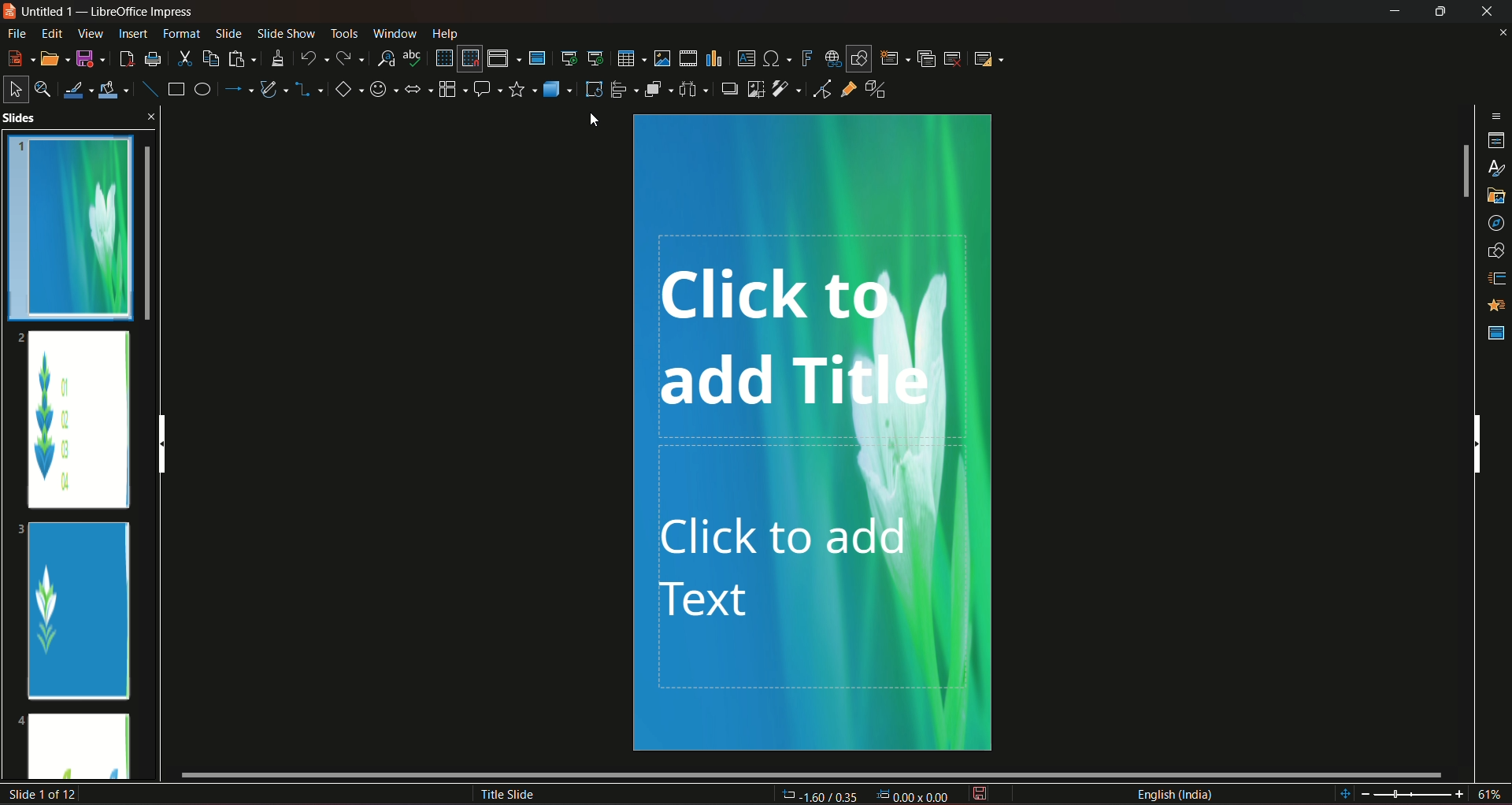  Describe the element at coordinates (754, 88) in the screenshot. I see `crop image` at that location.